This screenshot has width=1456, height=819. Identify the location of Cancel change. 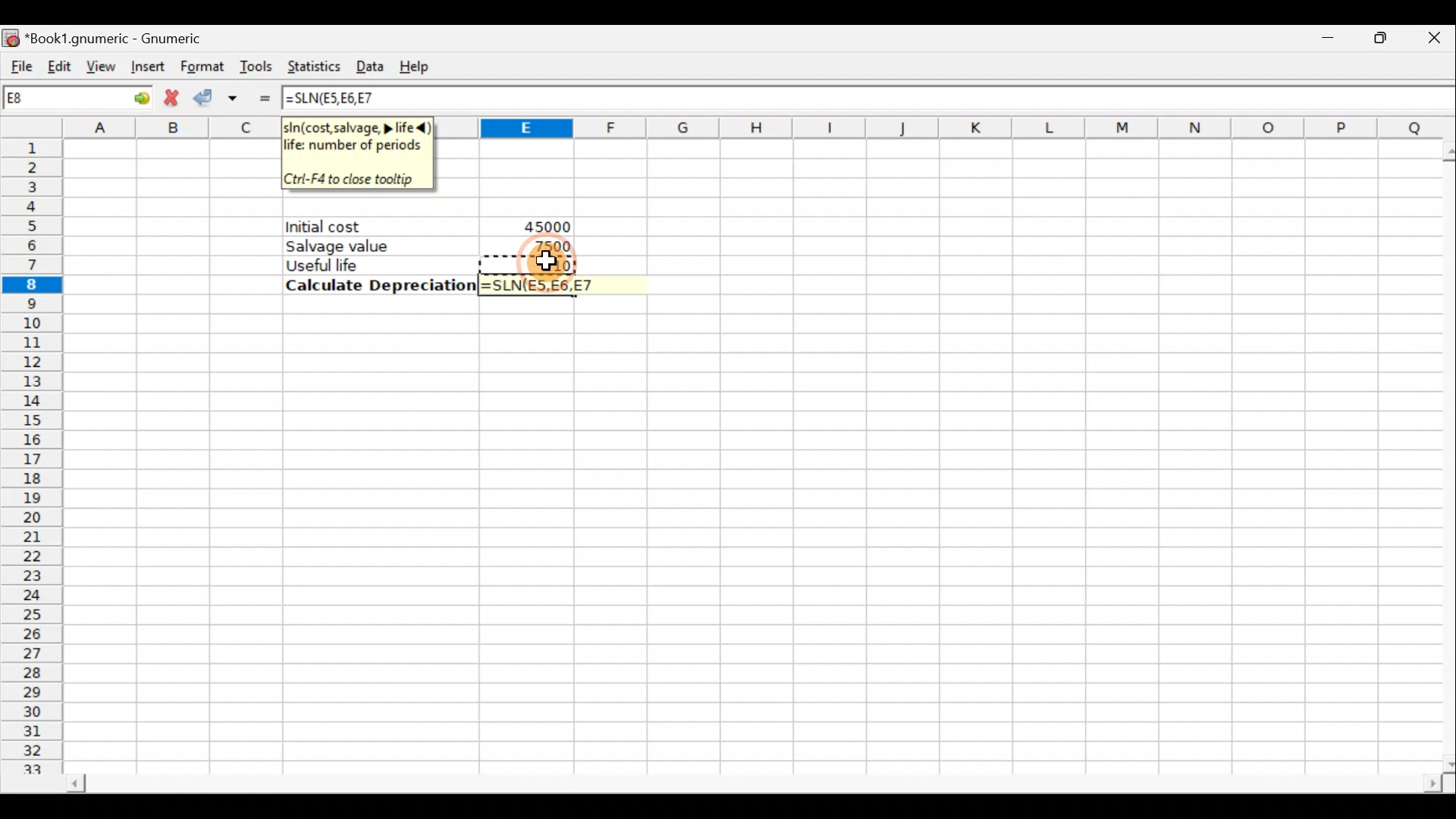
(172, 98).